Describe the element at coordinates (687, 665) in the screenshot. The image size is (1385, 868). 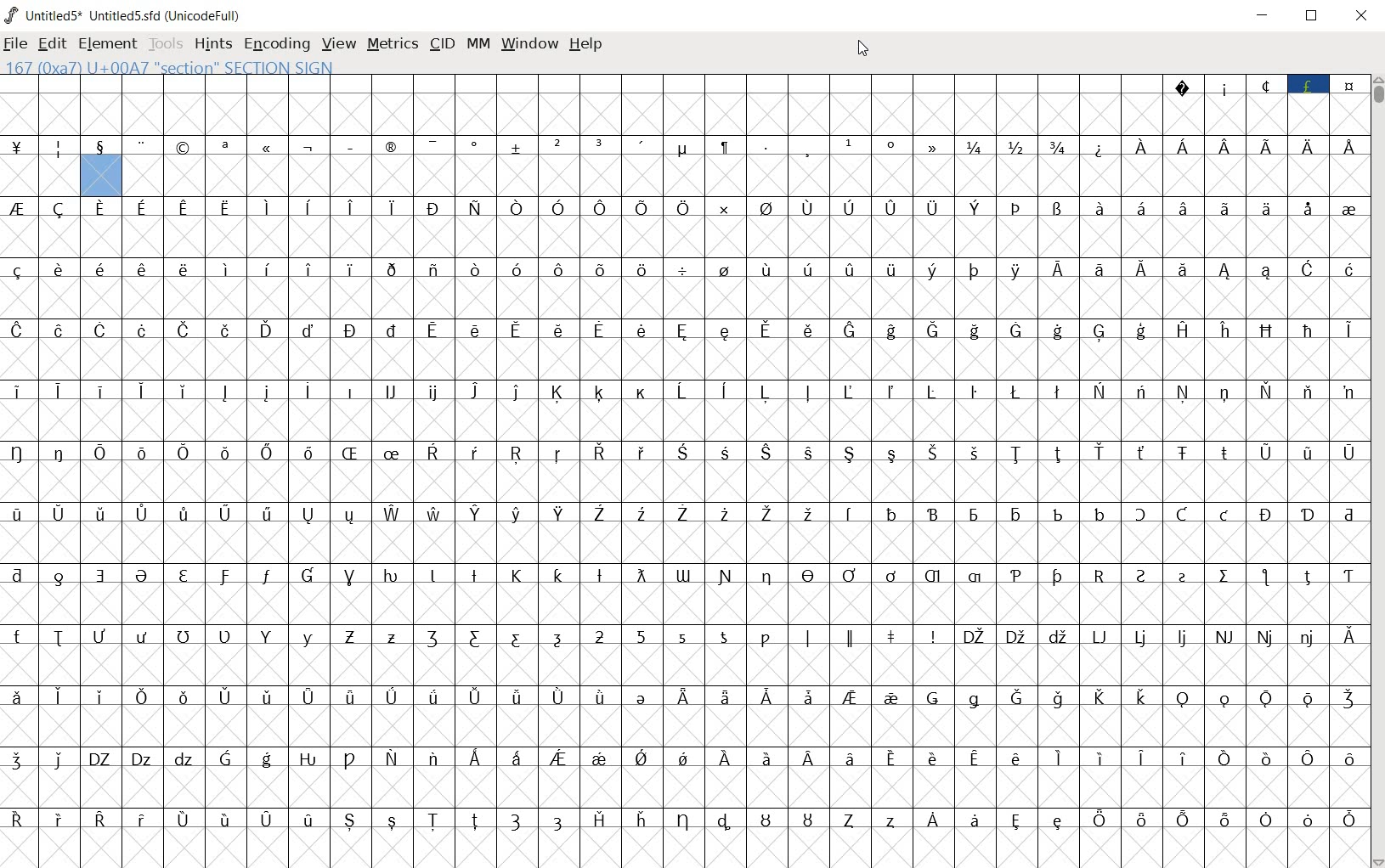
I see `empty cells` at that location.